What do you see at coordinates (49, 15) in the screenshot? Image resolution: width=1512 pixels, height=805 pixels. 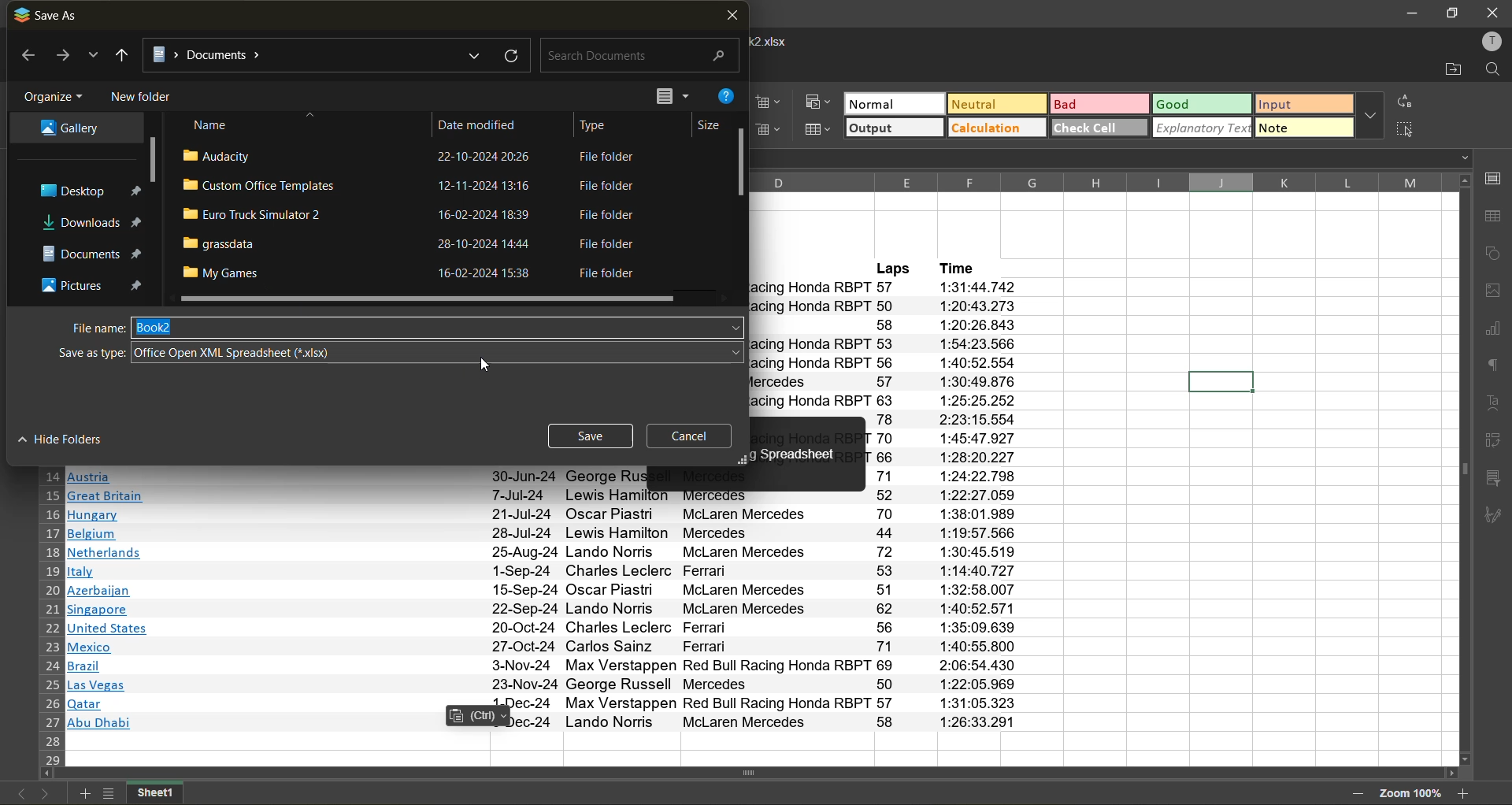 I see `save as` at bounding box center [49, 15].